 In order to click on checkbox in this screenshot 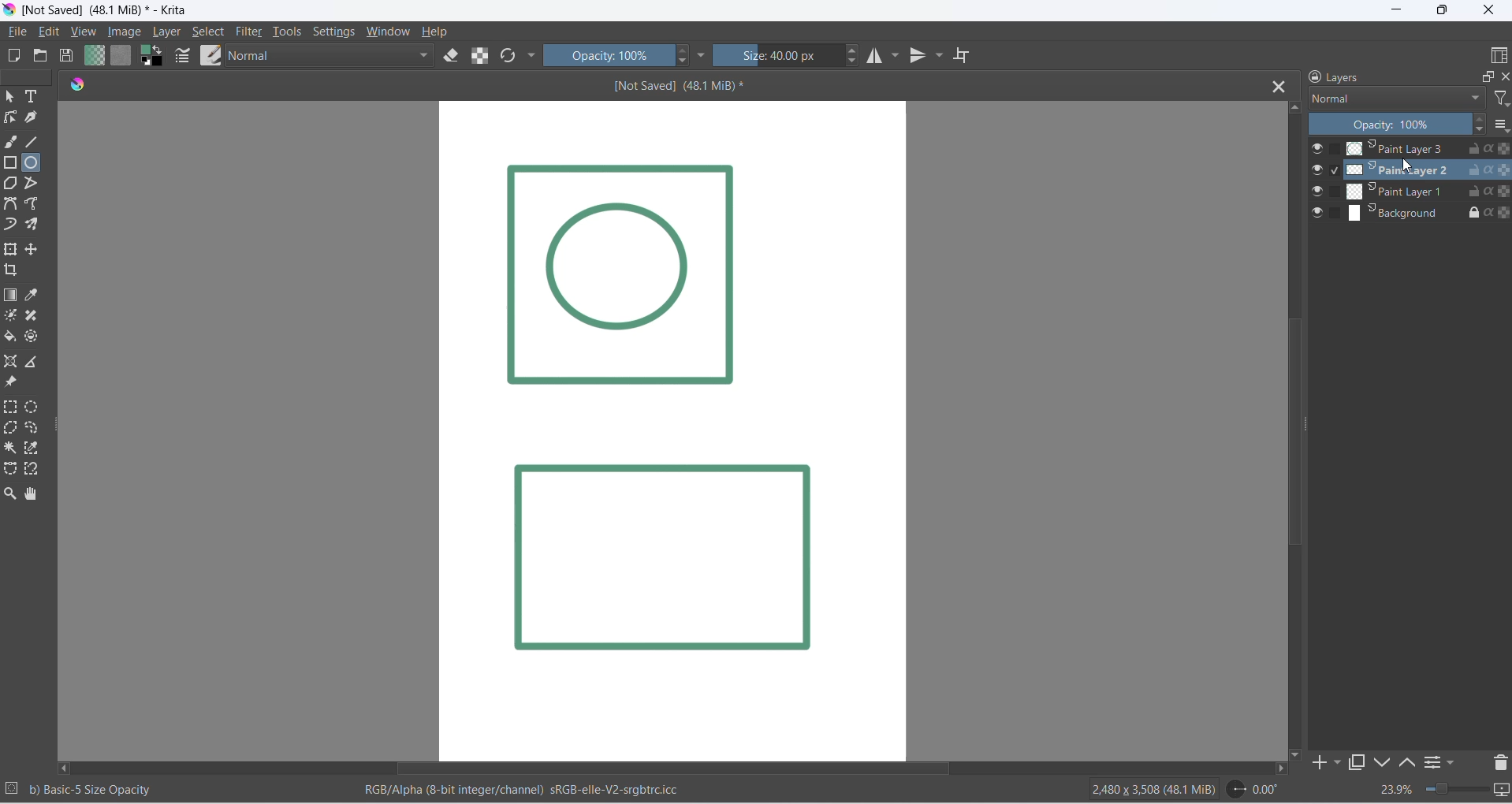, I will do `click(1334, 189)`.